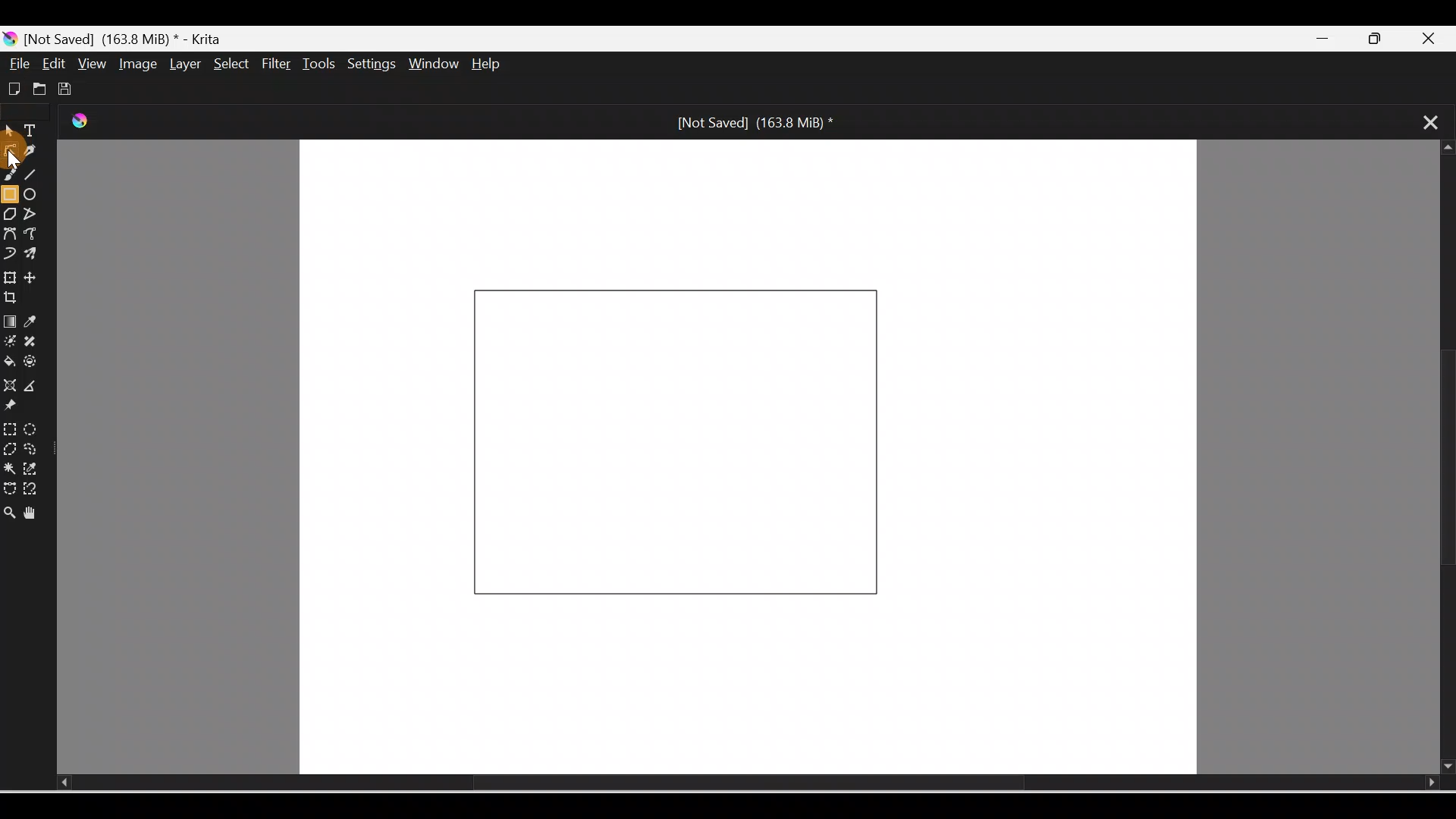  What do you see at coordinates (33, 213) in the screenshot?
I see `Polyline` at bounding box center [33, 213].